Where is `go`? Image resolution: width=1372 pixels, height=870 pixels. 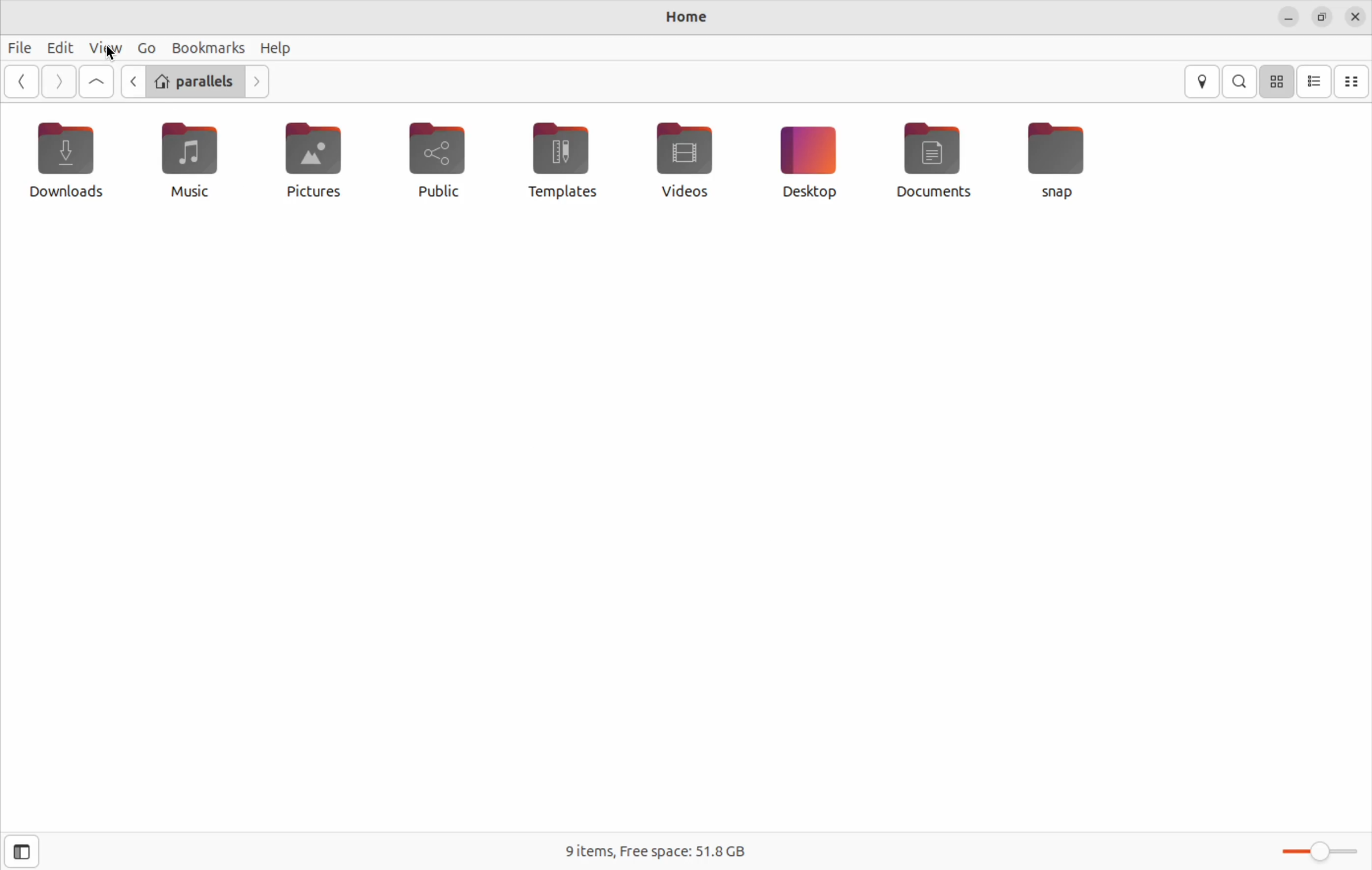
go is located at coordinates (144, 48).